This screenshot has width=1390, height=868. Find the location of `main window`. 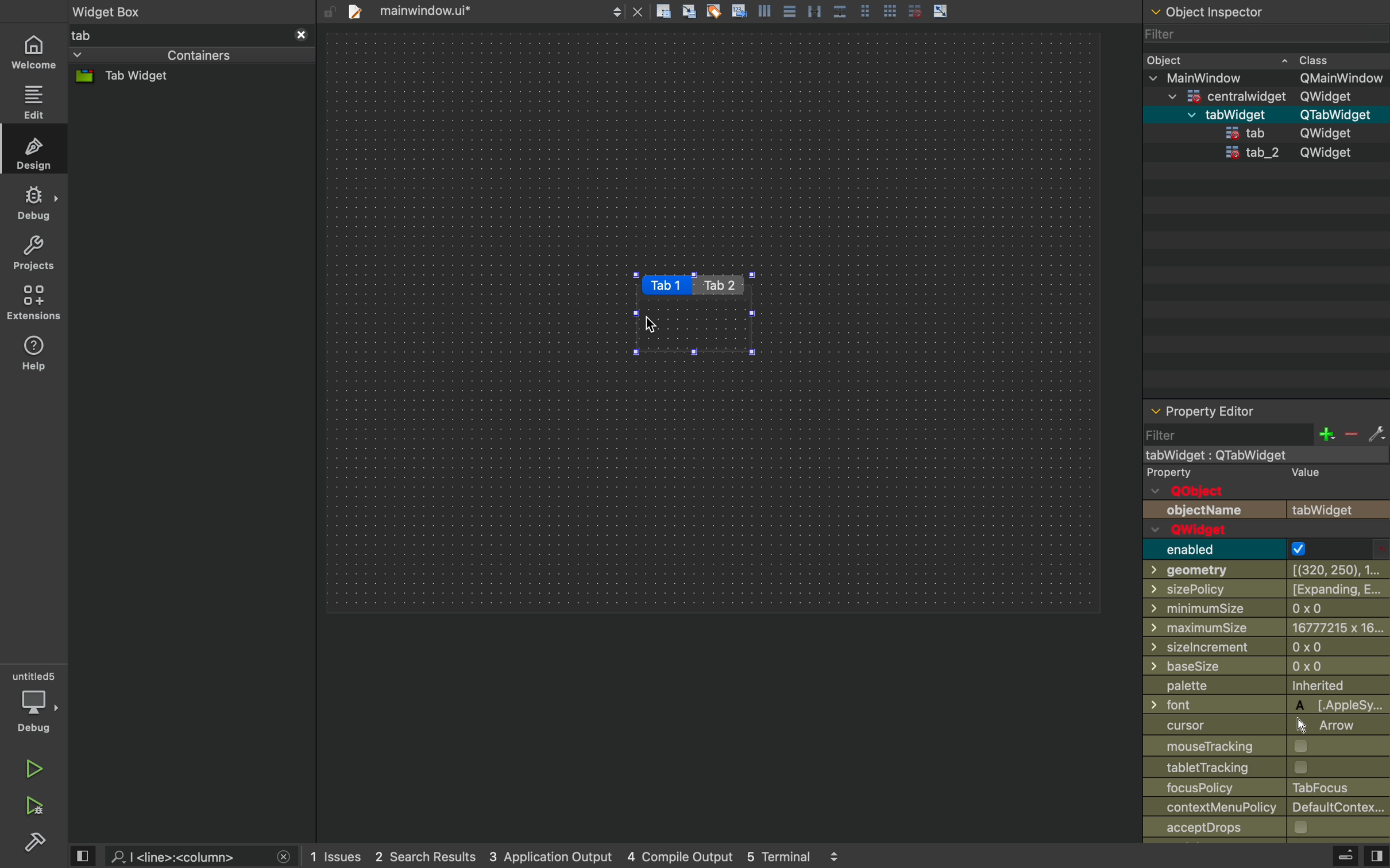

main window is located at coordinates (1262, 79).